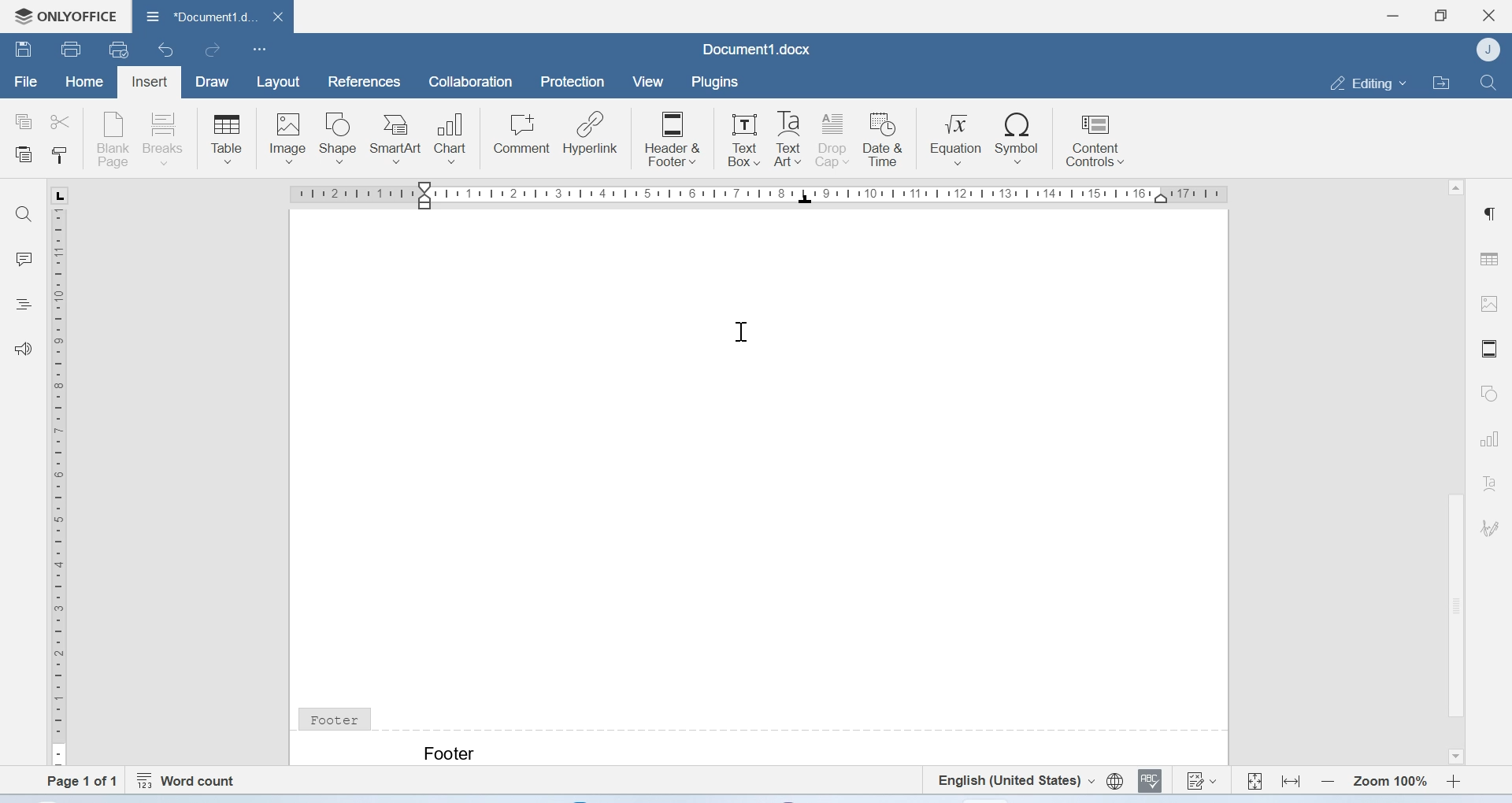 This screenshot has width=1512, height=803. Describe the element at coordinates (574, 83) in the screenshot. I see `Protection` at that location.